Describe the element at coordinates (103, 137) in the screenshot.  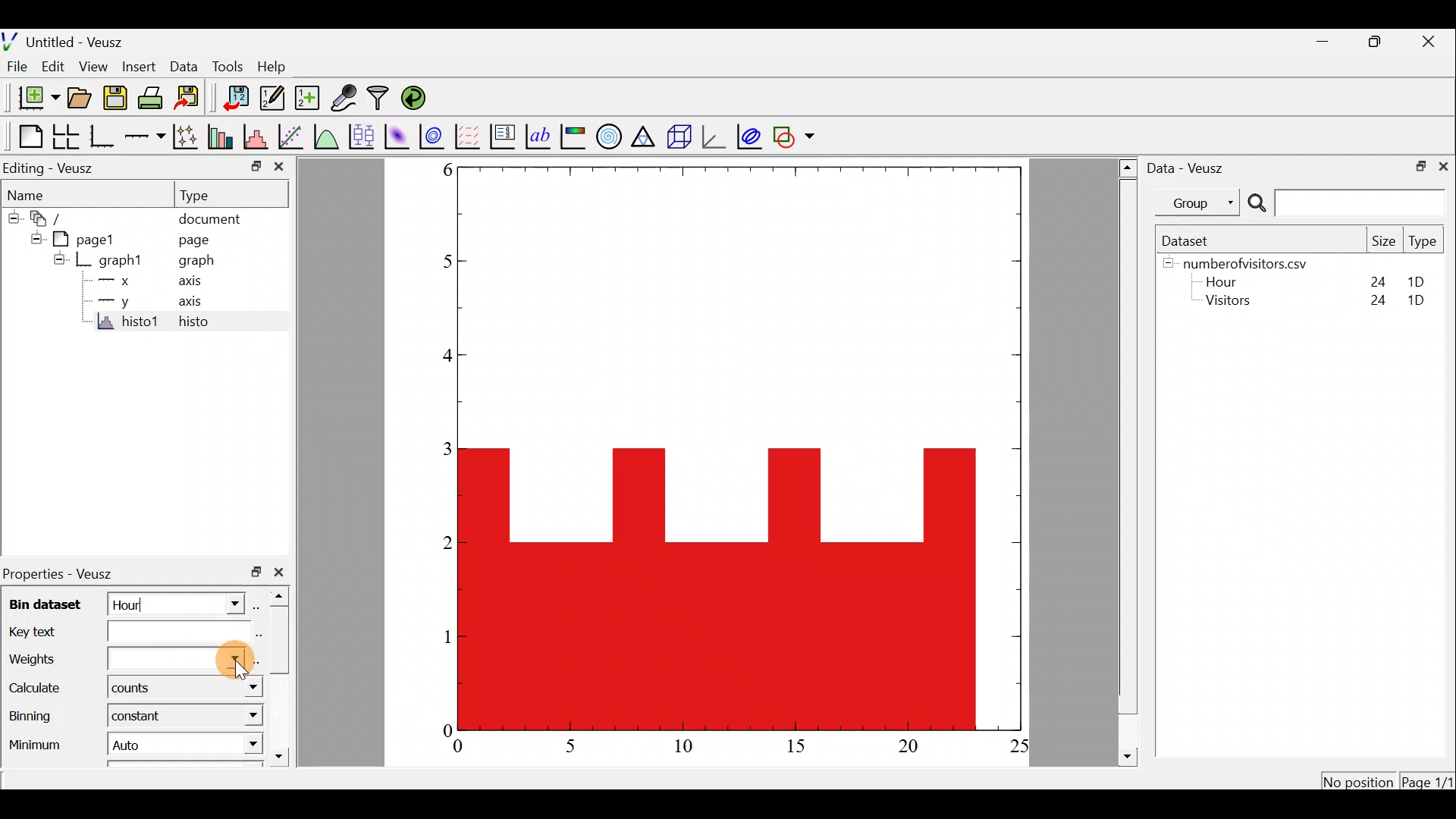
I see `Base graph` at that location.